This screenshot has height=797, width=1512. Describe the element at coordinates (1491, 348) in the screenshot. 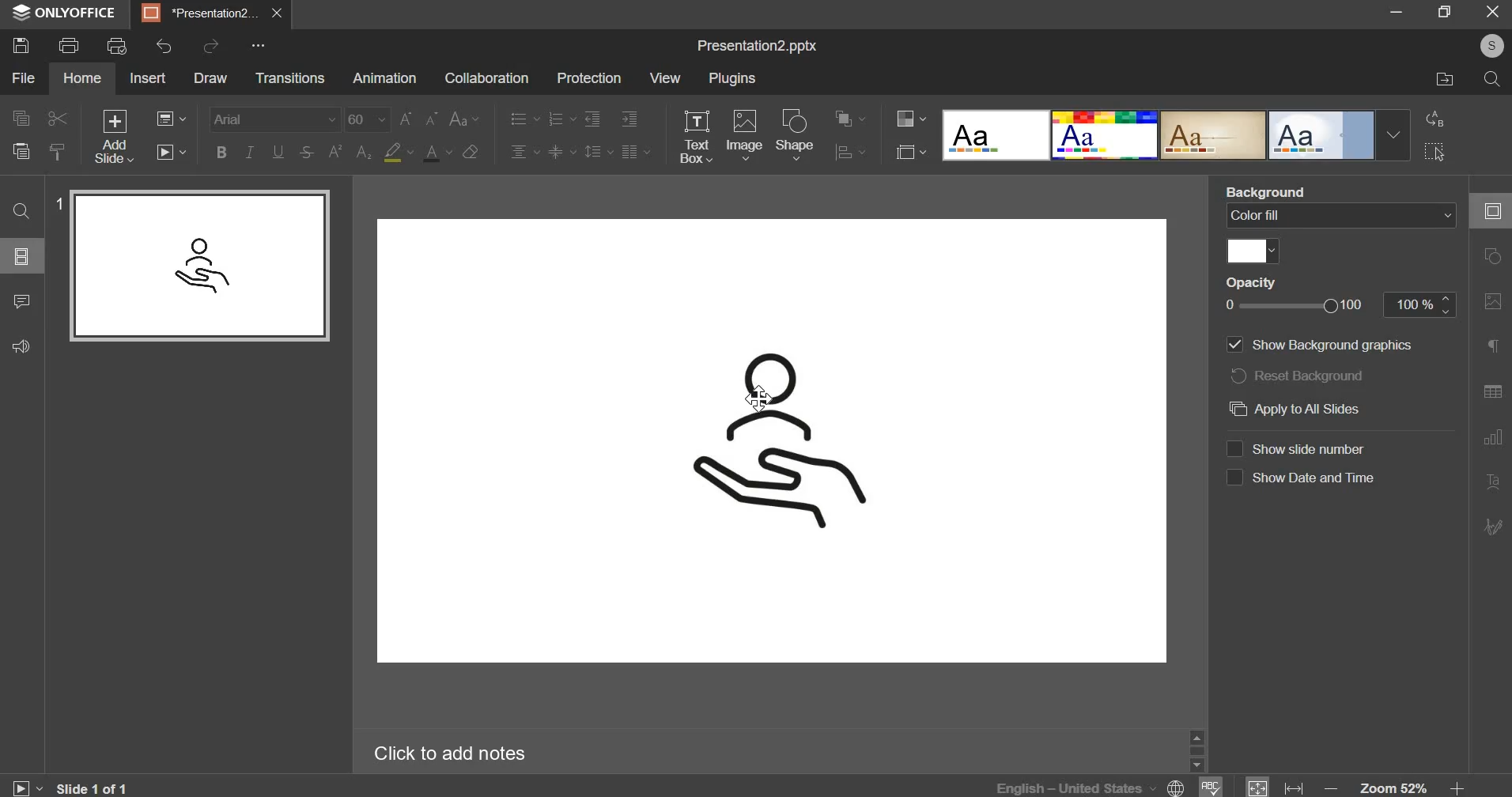

I see `paragraph settings` at that location.